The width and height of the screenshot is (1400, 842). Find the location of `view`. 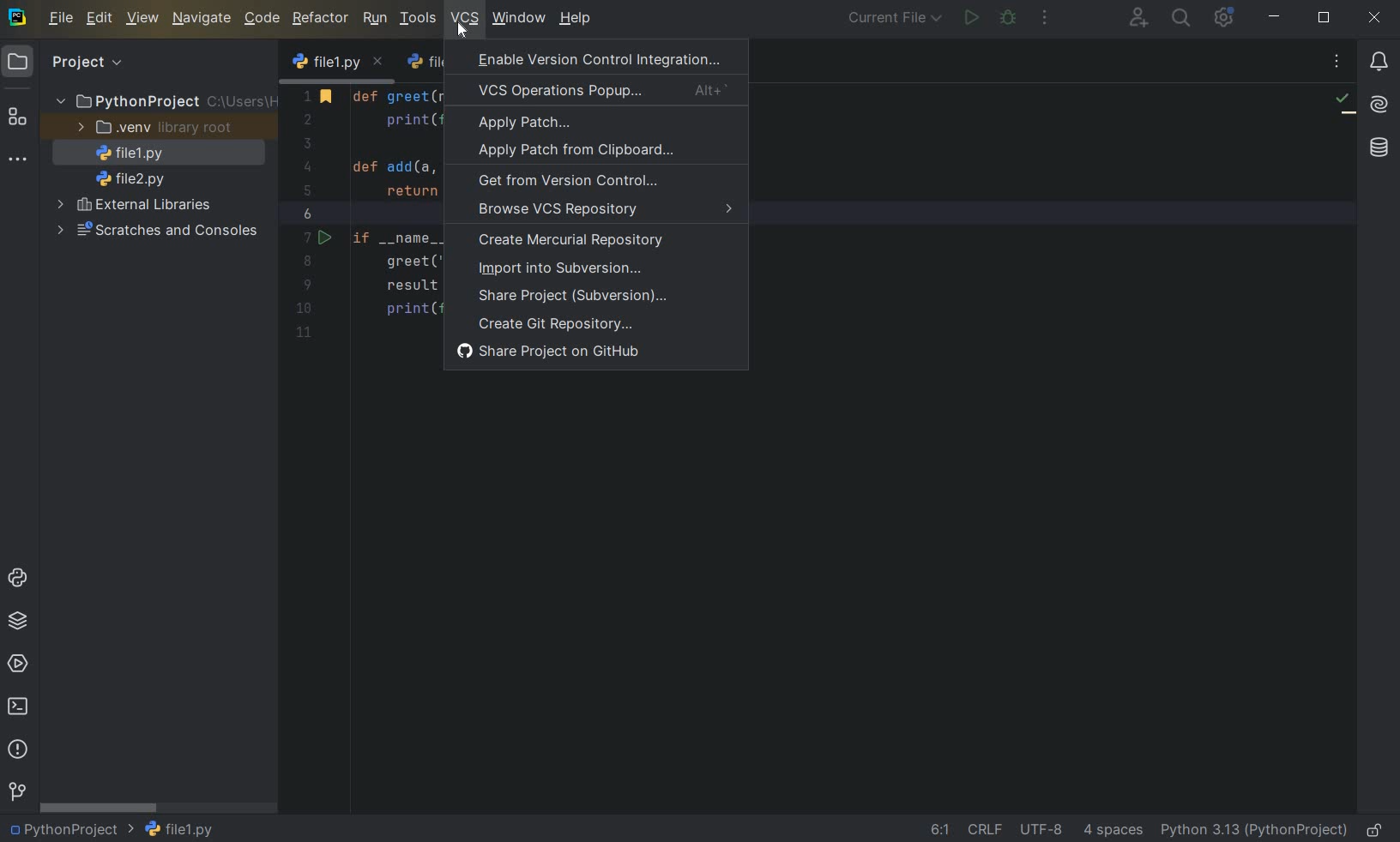

view is located at coordinates (144, 19).